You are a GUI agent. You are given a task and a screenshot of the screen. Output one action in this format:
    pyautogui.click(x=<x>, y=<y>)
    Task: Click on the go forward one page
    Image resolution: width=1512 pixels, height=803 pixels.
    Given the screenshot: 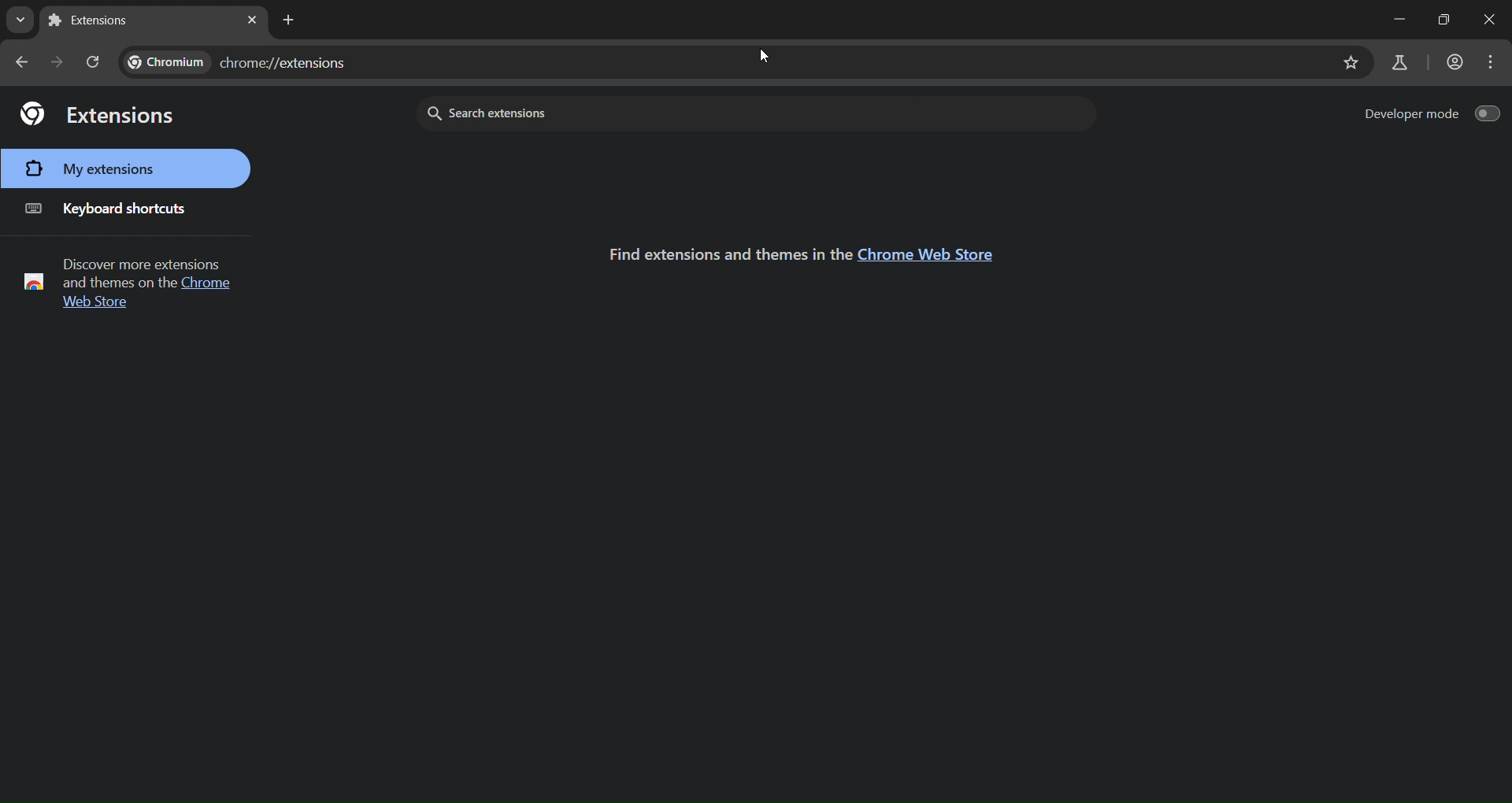 What is the action you would take?
    pyautogui.click(x=60, y=62)
    